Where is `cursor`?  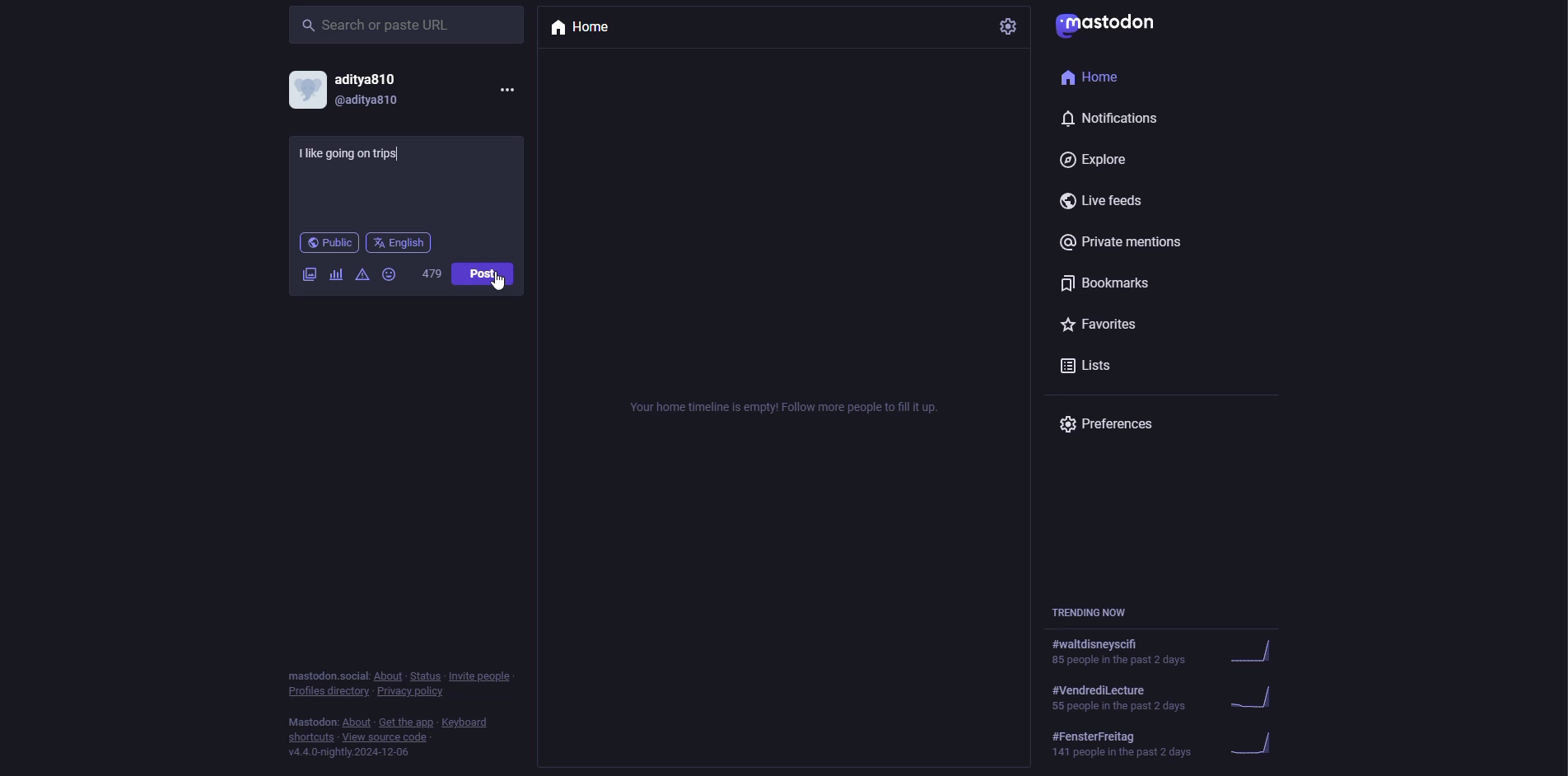
cursor is located at coordinates (498, 288).